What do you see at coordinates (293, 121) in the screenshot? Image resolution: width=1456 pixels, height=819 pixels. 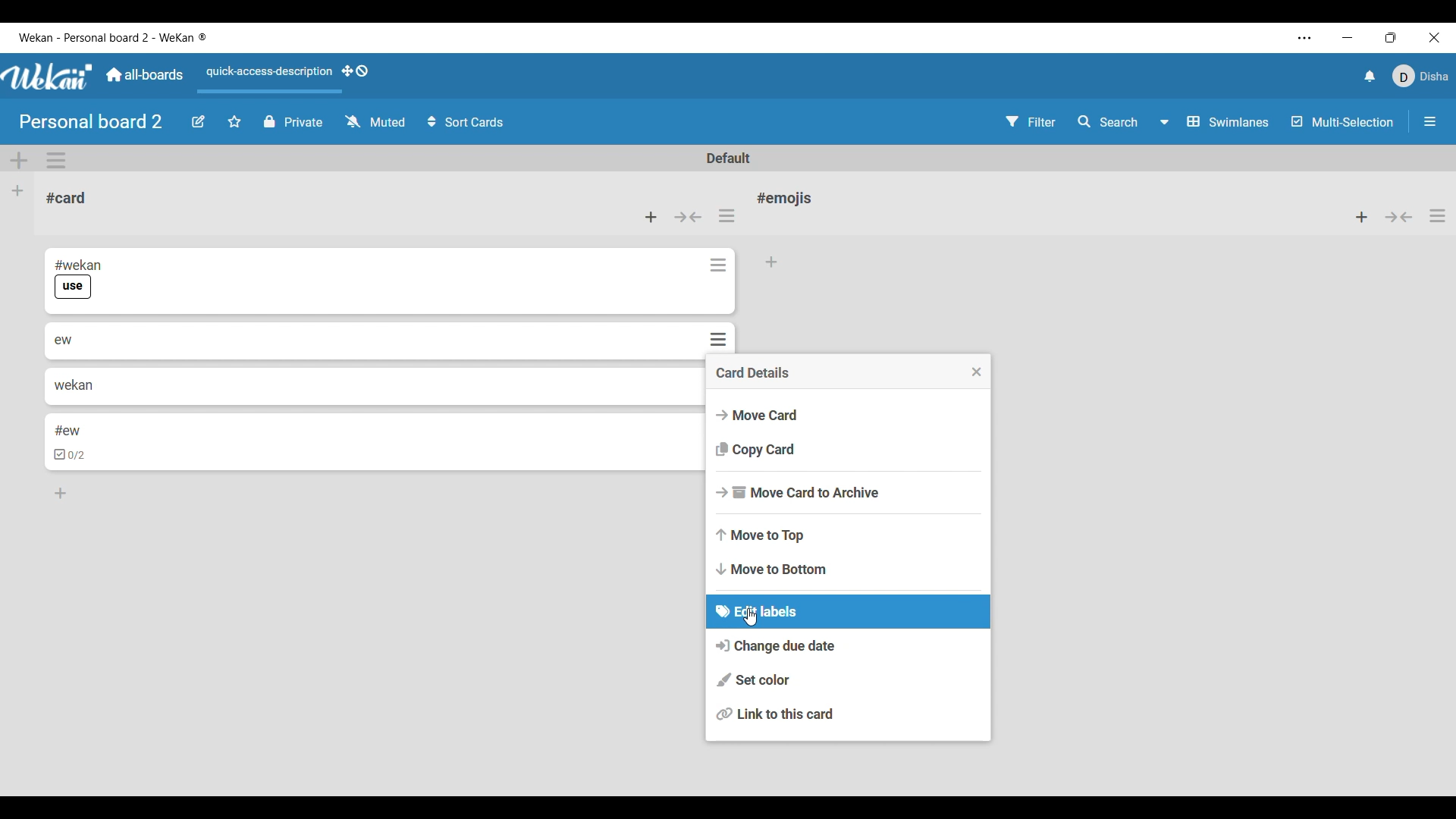 I see `Privacy status of current board` at bounding box center [293, 121].